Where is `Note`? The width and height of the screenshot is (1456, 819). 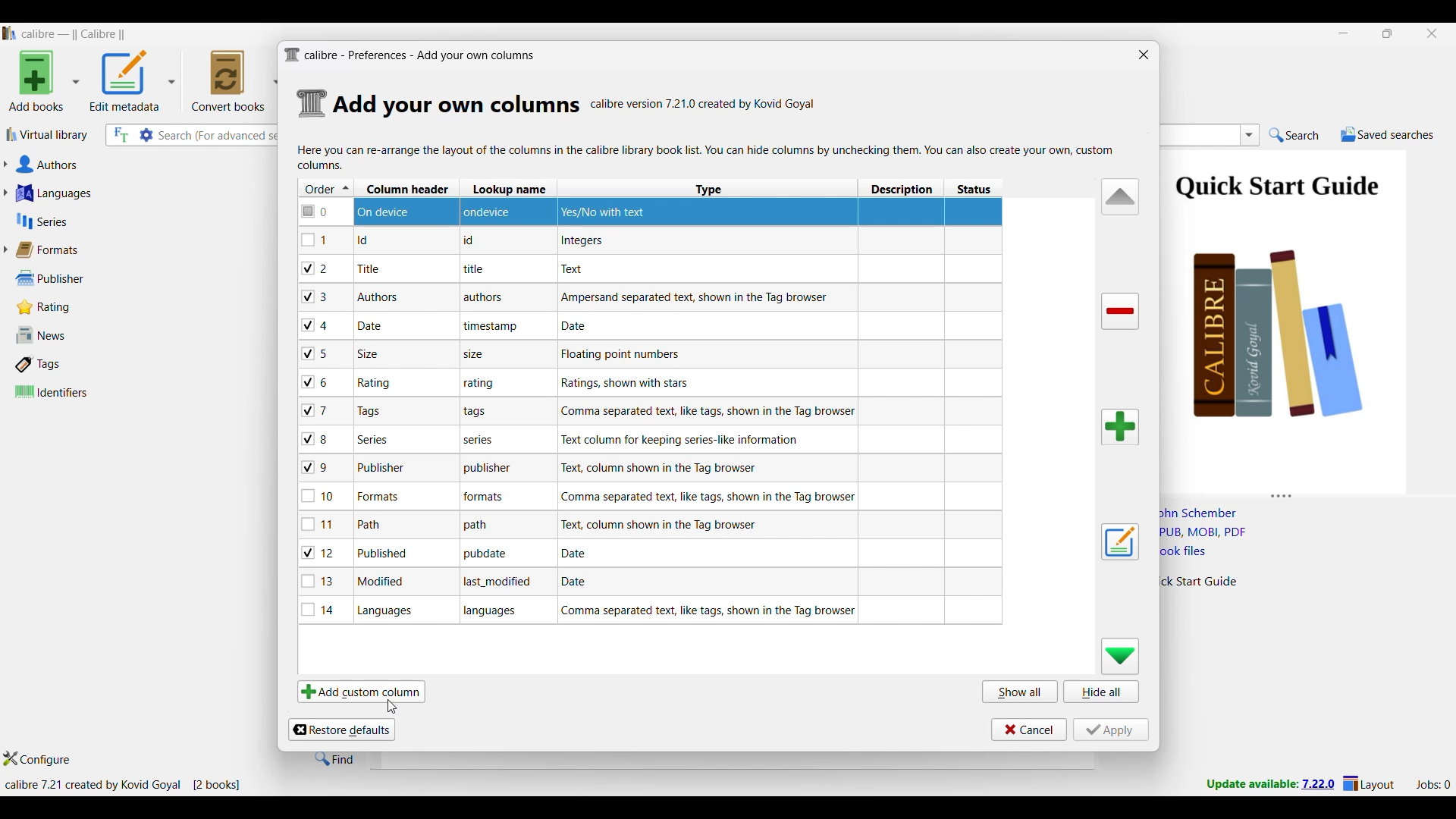
Note is located at coordinates (381, 496).